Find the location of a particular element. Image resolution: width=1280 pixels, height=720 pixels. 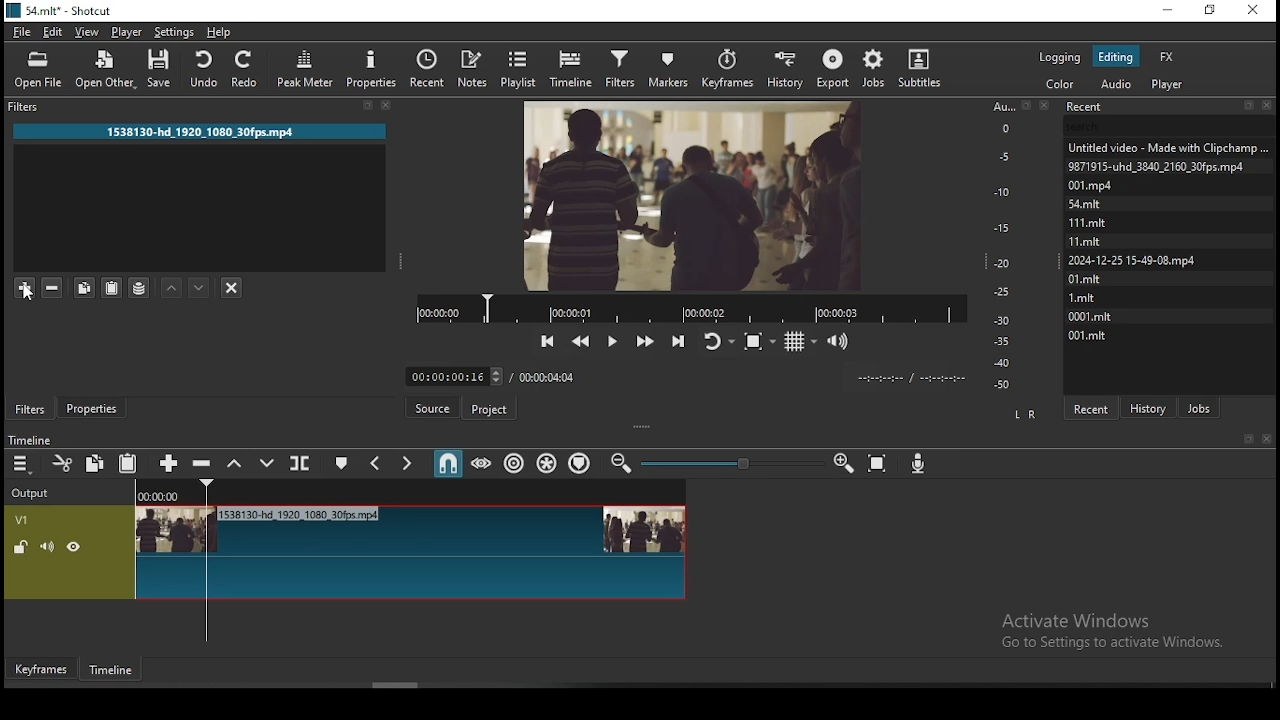

remove selected filter is located at coordinates (54, 285).